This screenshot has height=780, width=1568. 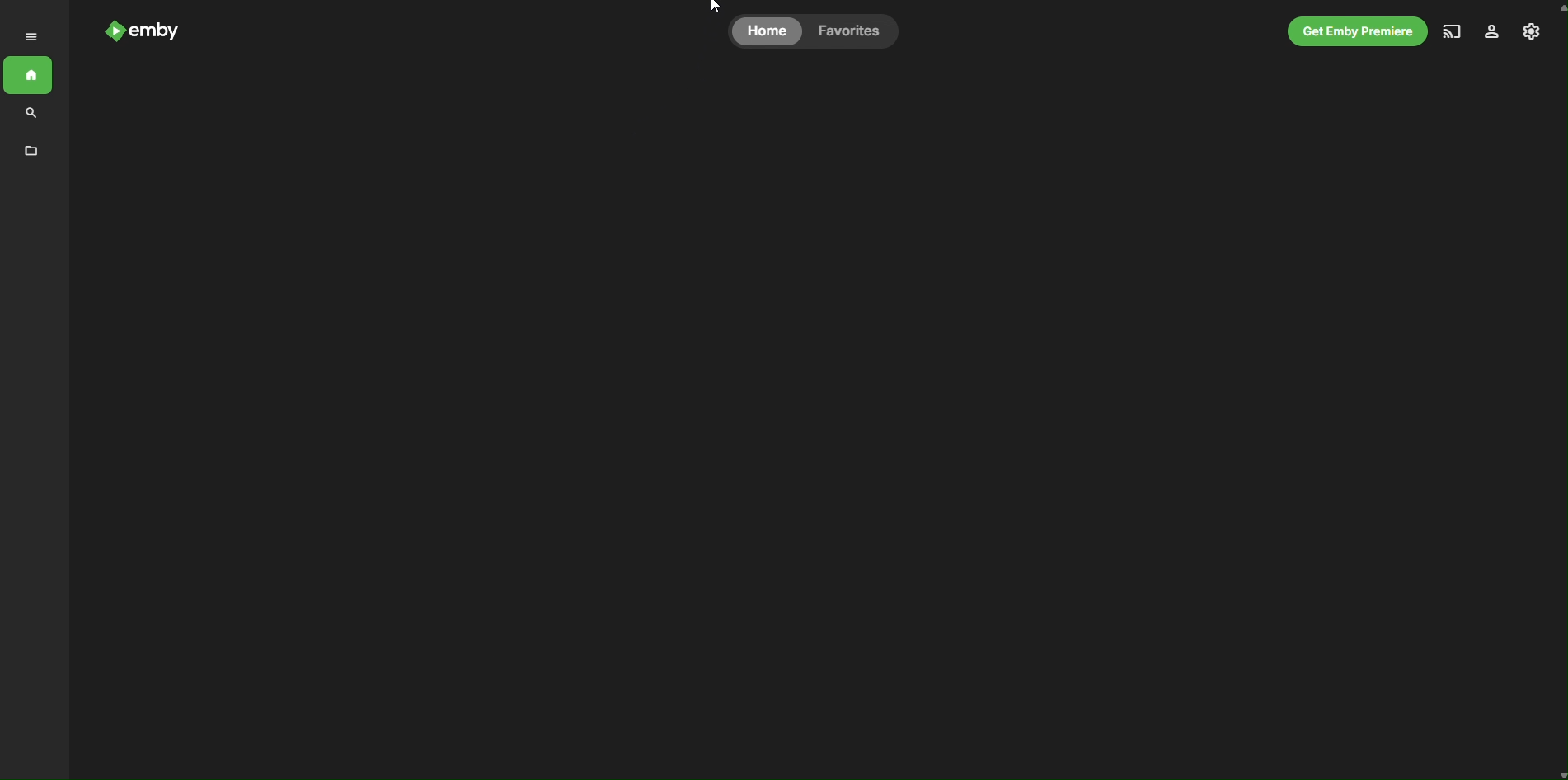 What do you see at coordinates (162, 31) in the screenshot?
I see `Search` at bounding box center [162, 31].